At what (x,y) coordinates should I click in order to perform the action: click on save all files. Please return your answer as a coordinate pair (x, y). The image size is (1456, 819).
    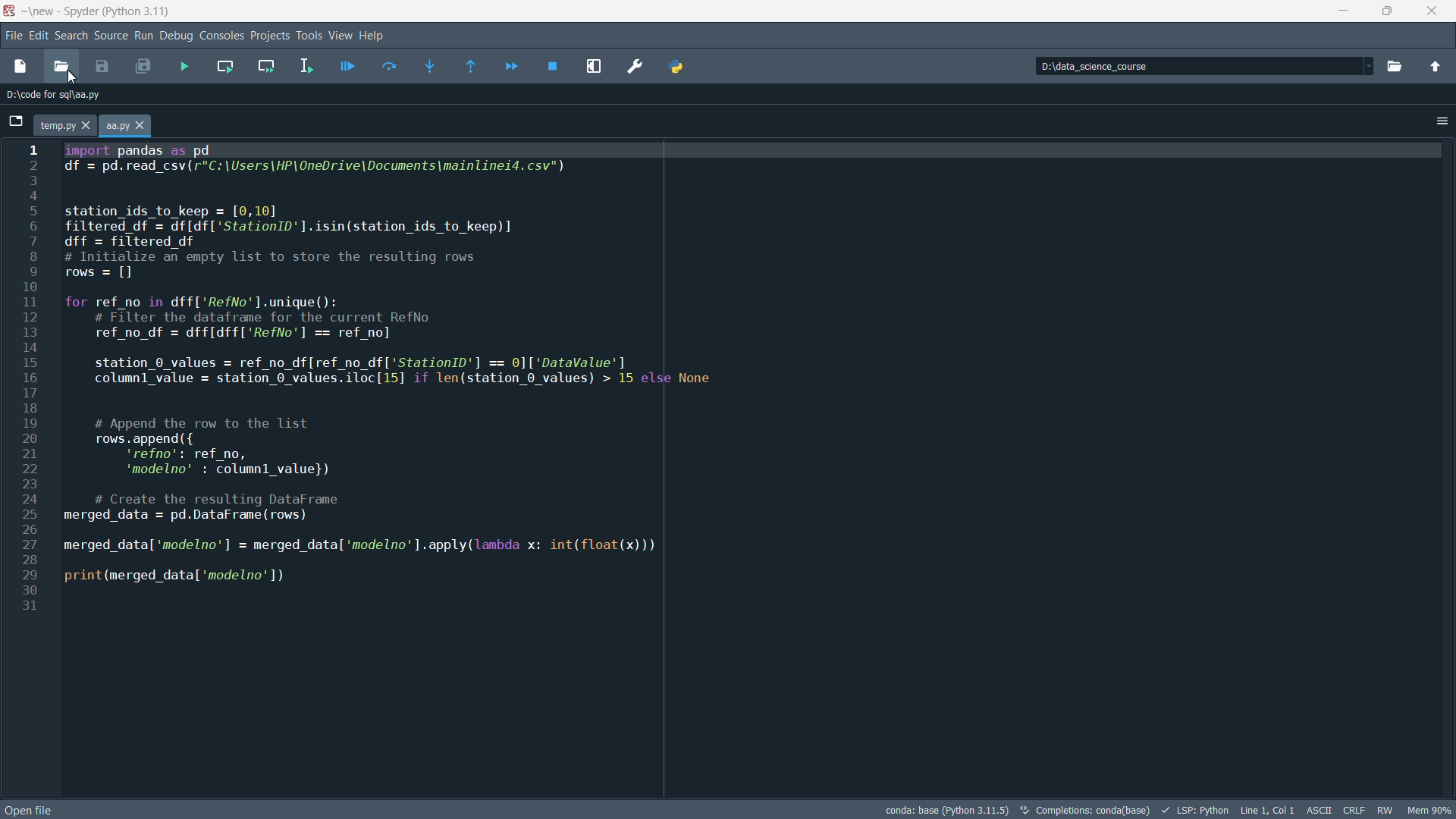
    Looking at the image, I should click on (143, 66).